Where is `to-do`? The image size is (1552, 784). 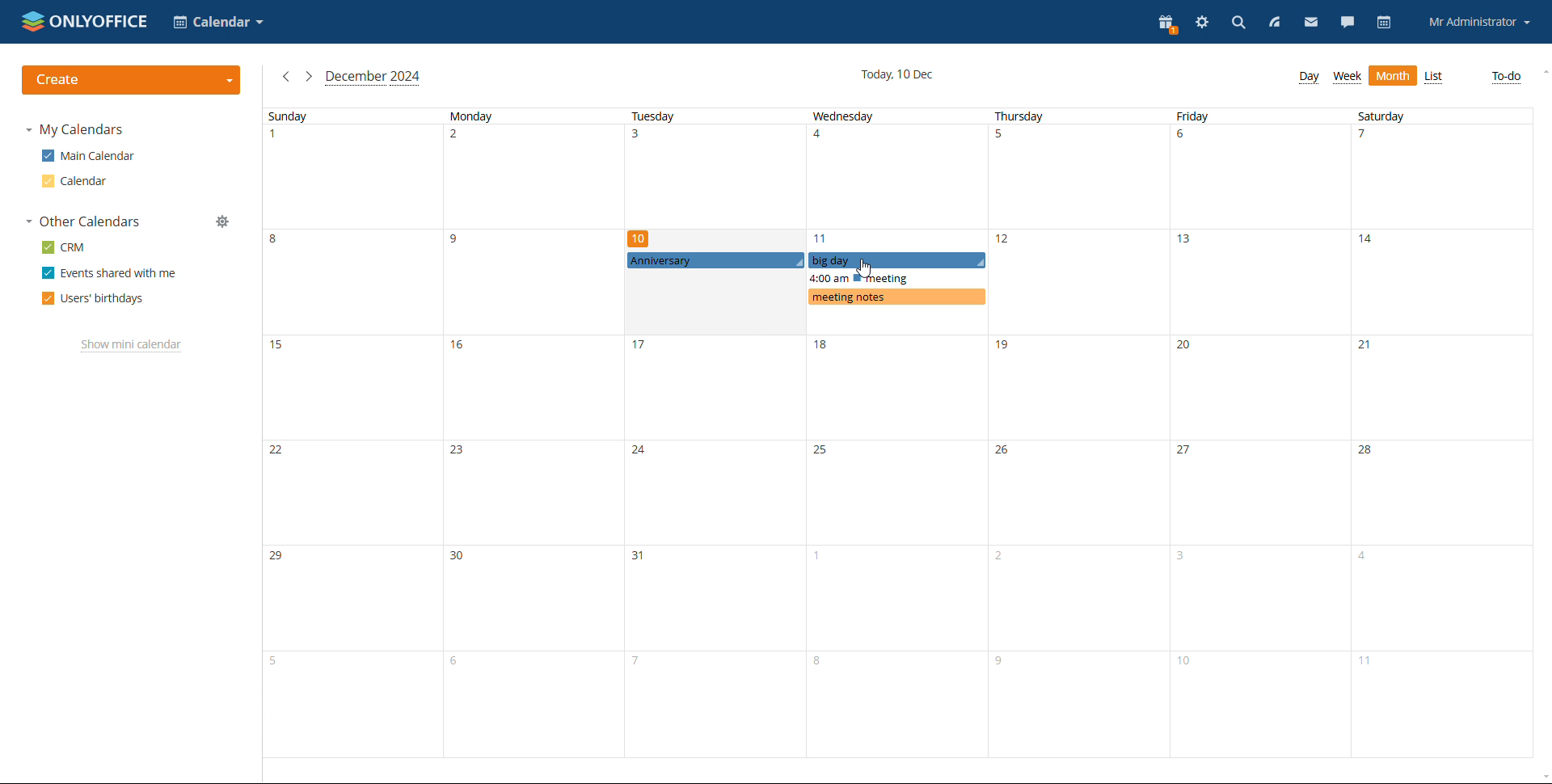
to-do is located at coordinates (1504, 77).